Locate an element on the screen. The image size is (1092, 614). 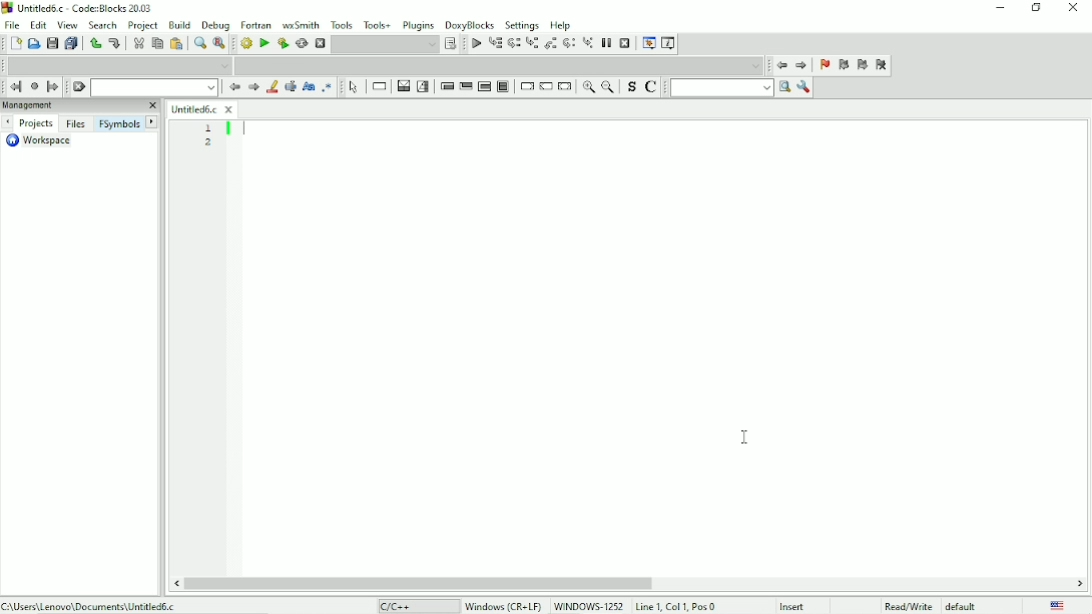
Highlight is located at coordinates (273, 87).